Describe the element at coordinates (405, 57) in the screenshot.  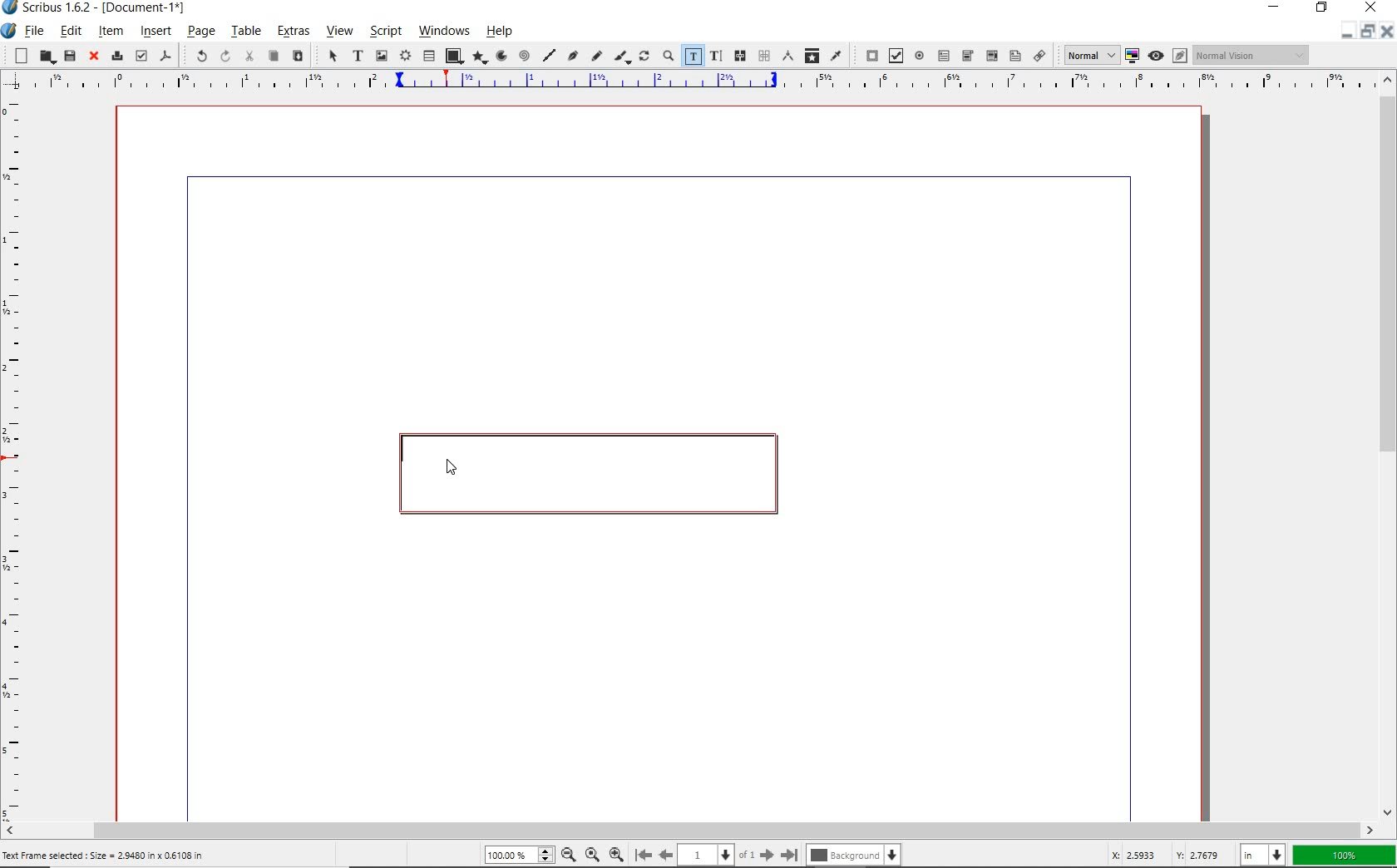
I see `render frame` at that location.